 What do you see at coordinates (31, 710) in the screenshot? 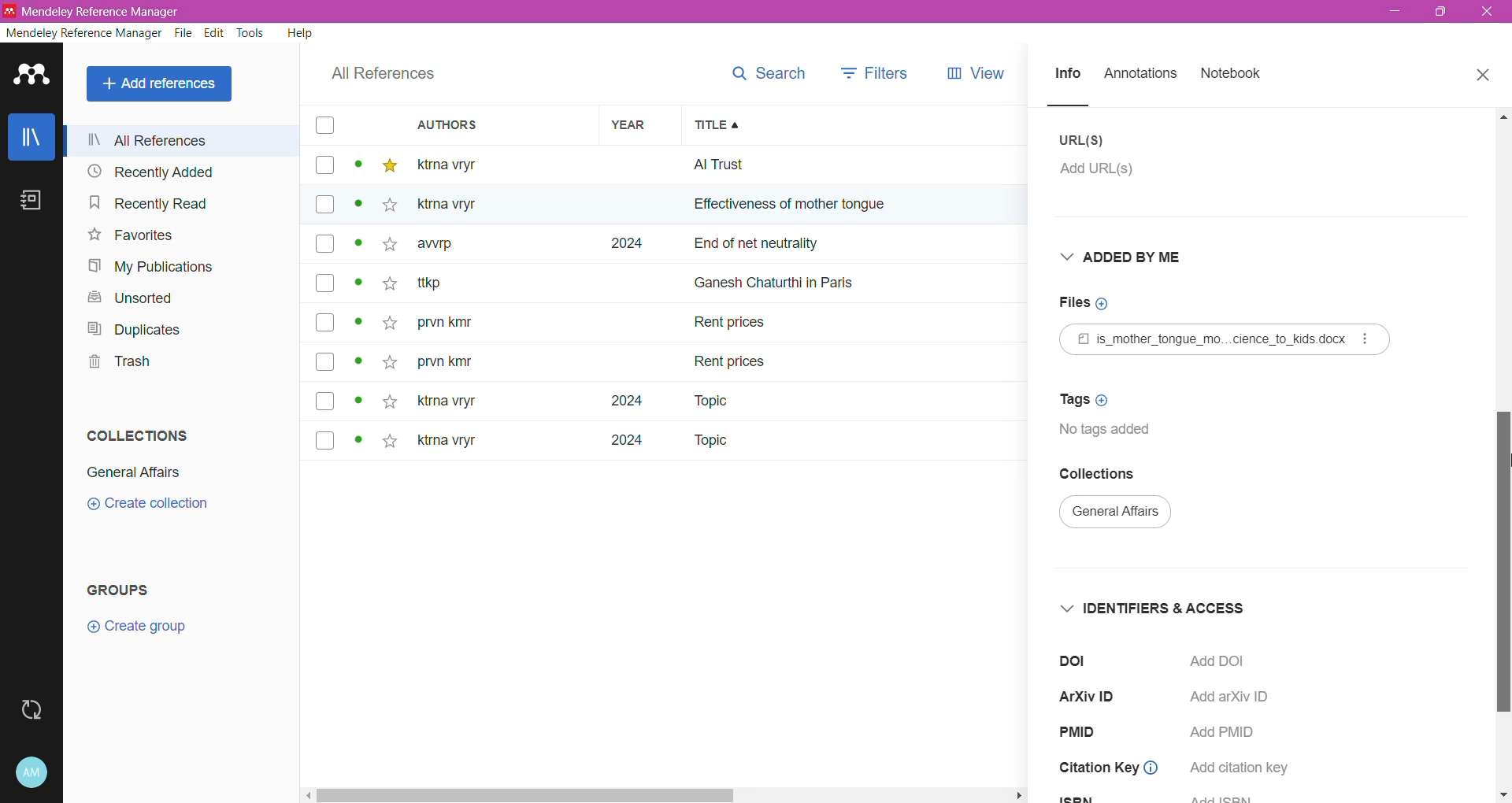
I see `Last sync` at bounding box center [31, 710].